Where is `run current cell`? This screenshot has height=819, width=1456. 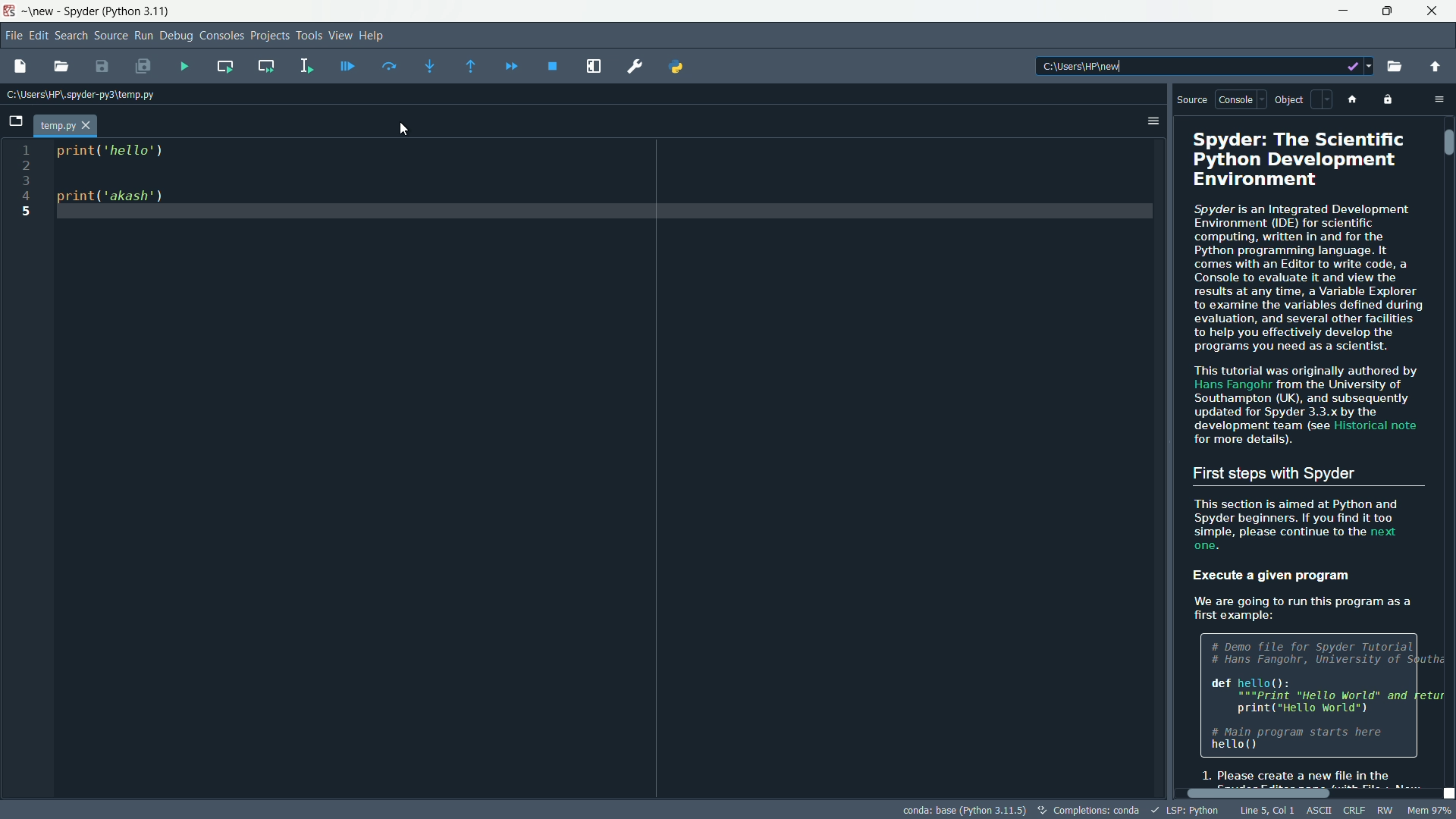
run current cell is located at coordinates (224, 65).